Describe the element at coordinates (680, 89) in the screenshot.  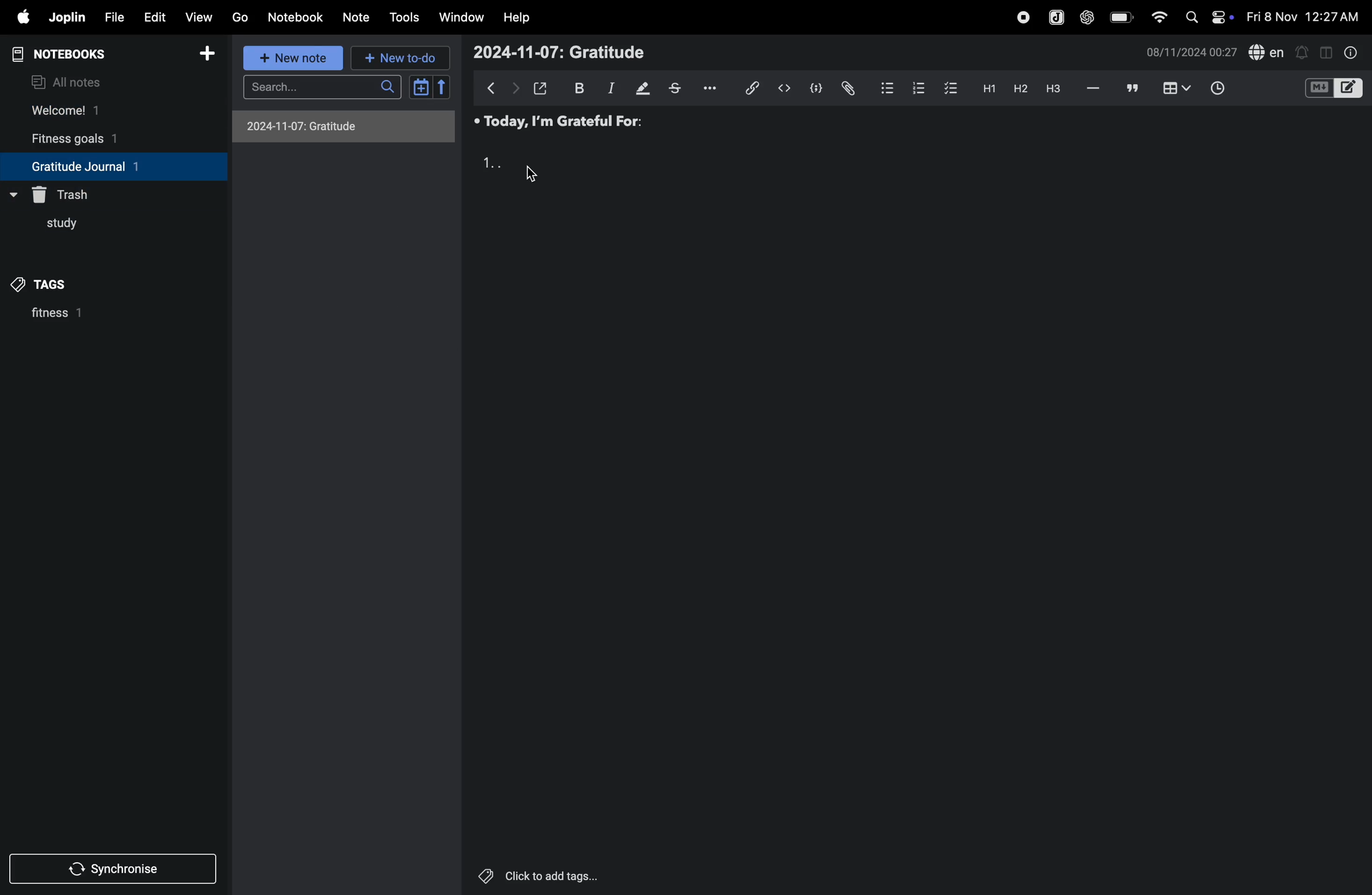
I see `strike through` at that location.